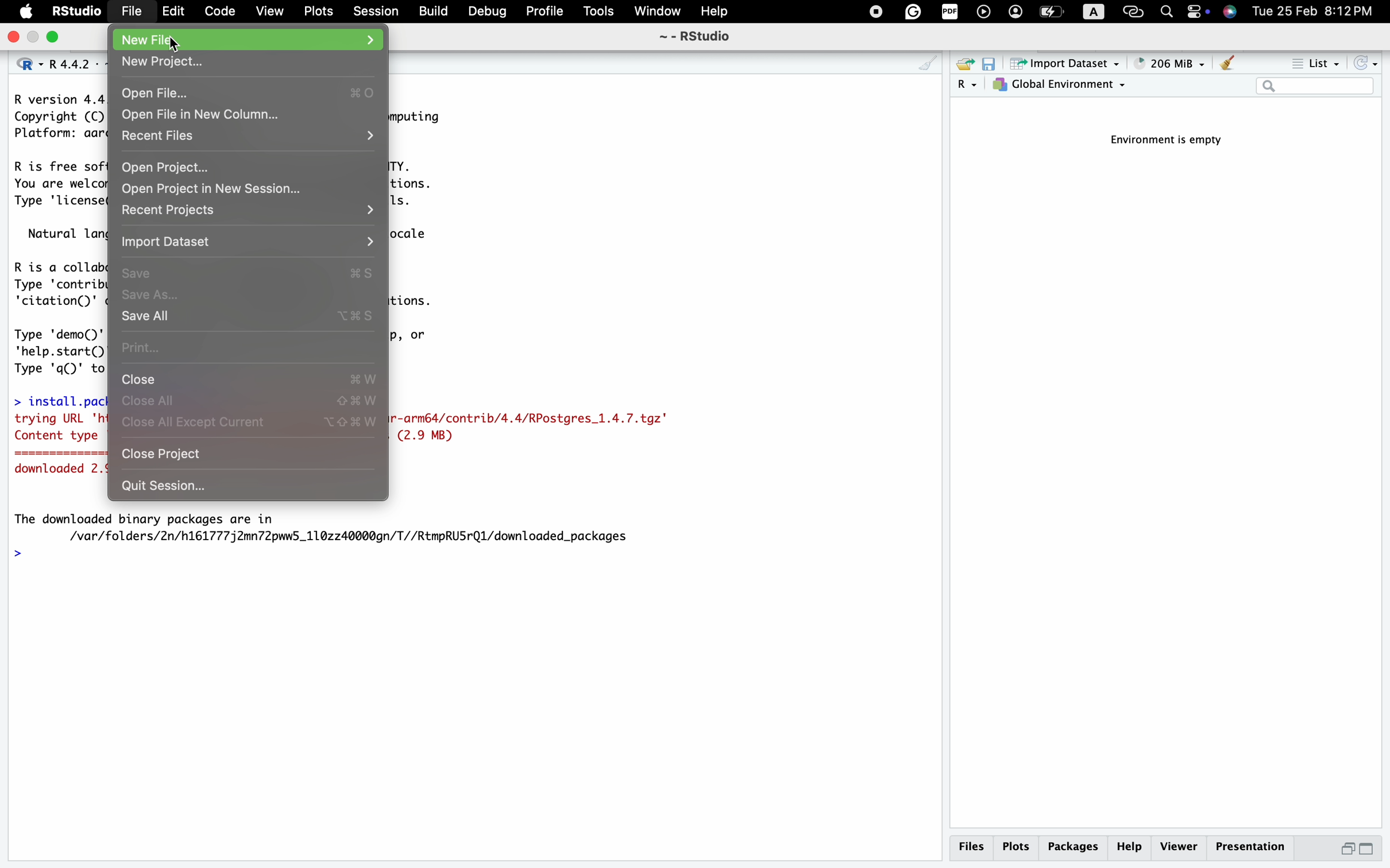  What do you see at coordinates (36, 38) in the screenshot?
I see `minimize` at bounding box center [36, 38].